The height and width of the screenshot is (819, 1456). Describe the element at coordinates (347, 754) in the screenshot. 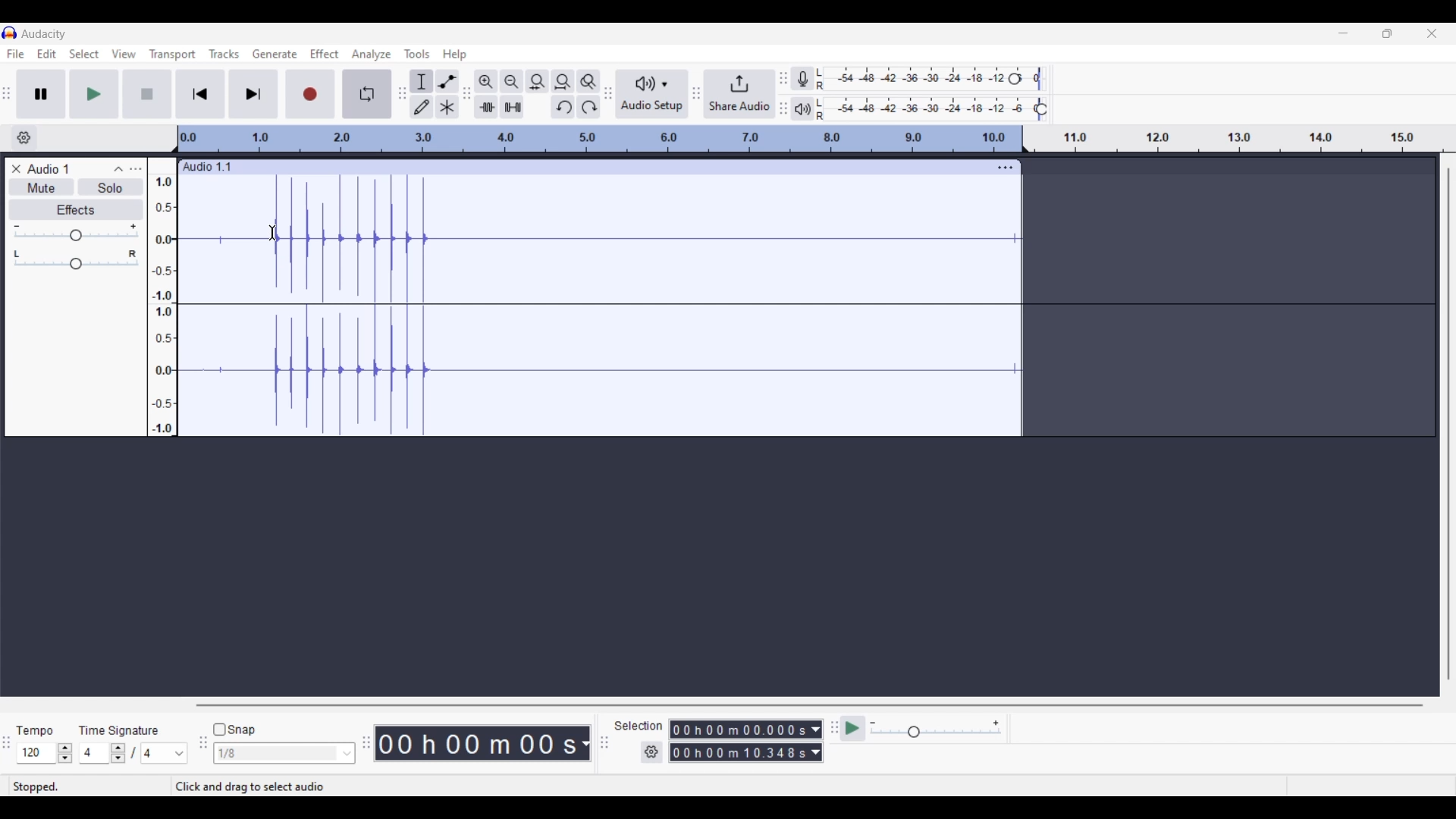

I see `Snap options` at that location.